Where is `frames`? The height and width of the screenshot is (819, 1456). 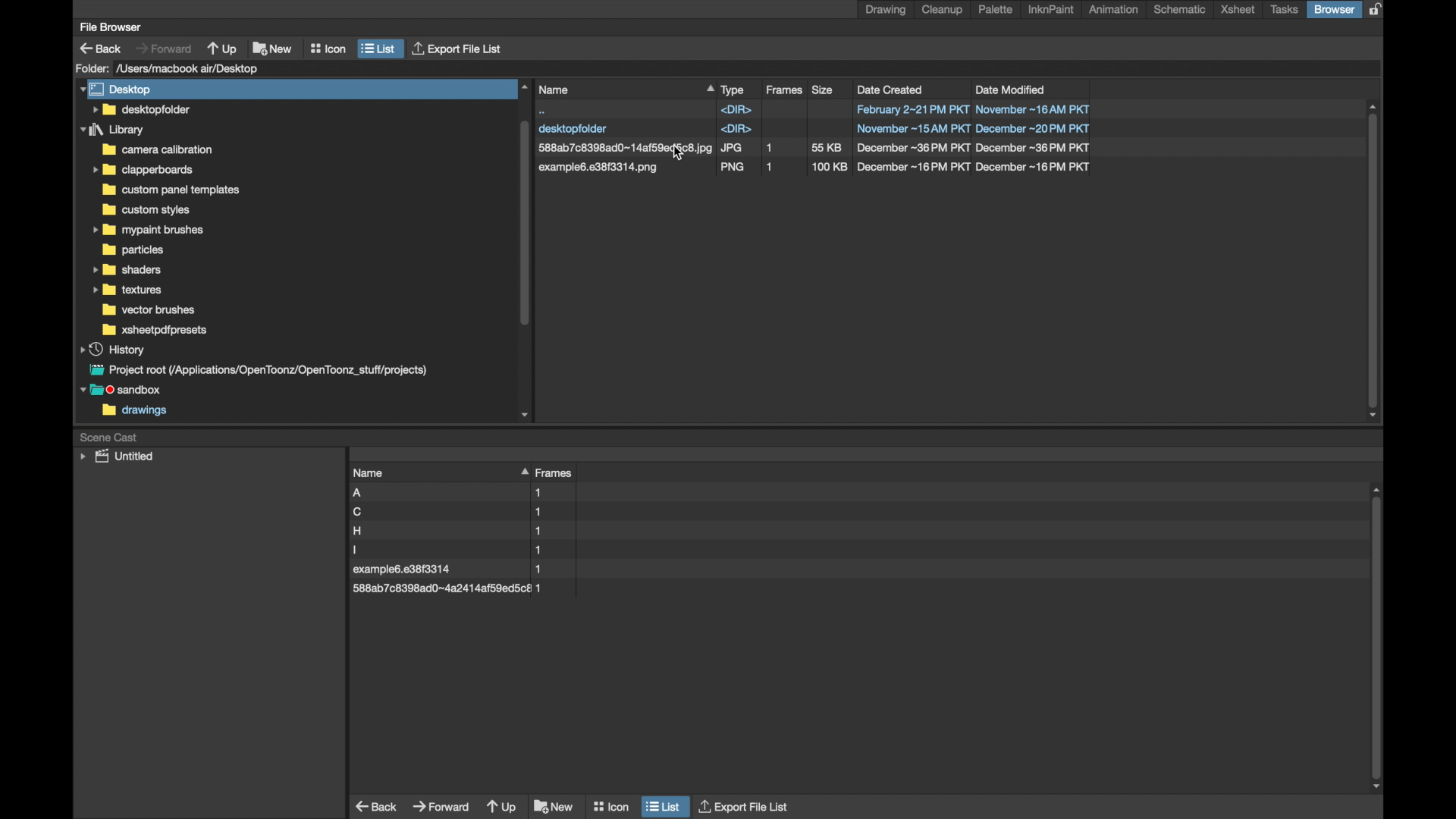
frames is located at coordinates (786, 90).